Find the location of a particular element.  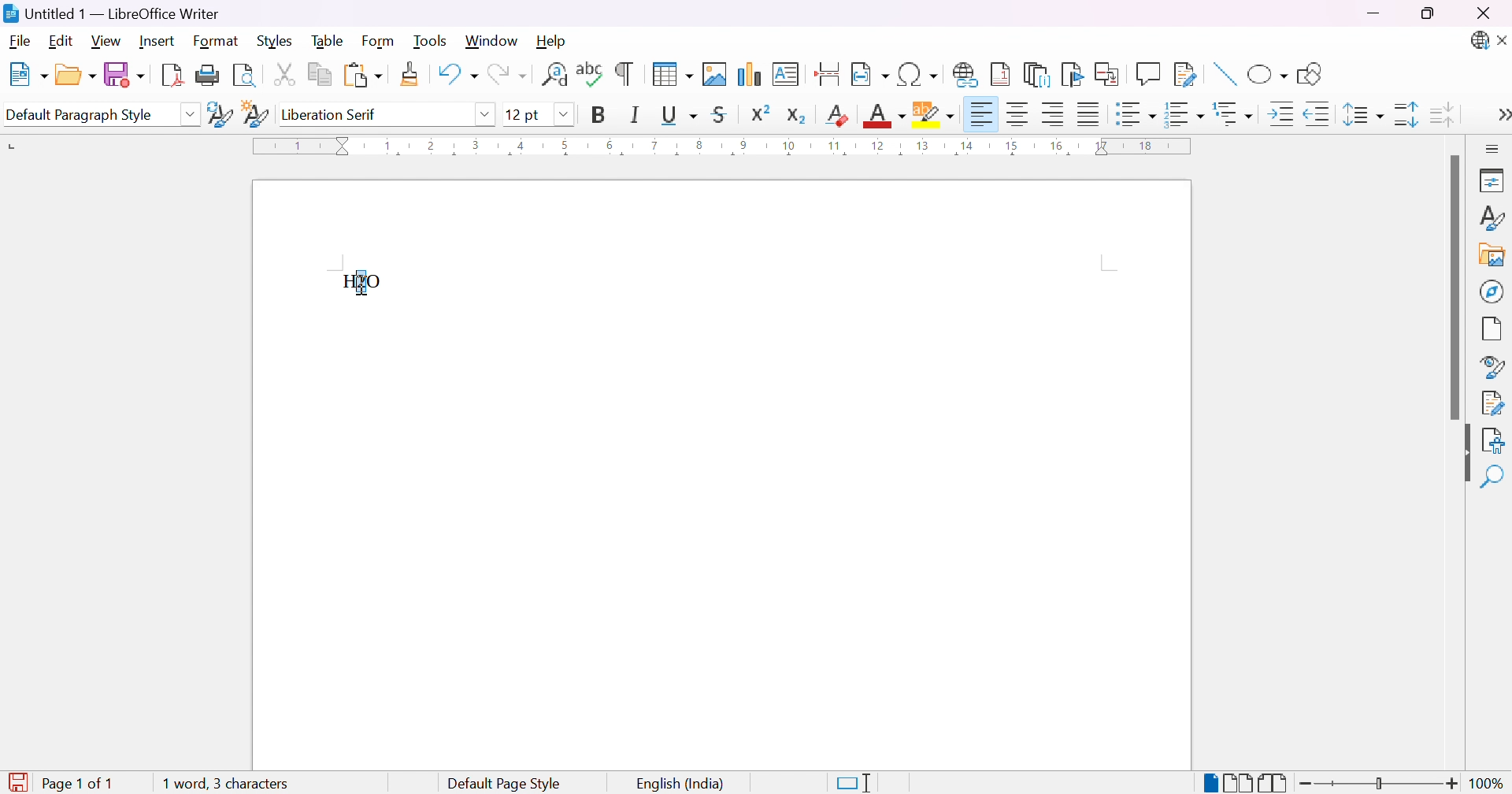

Show track changes functions is located at coordinates (1185, 75).